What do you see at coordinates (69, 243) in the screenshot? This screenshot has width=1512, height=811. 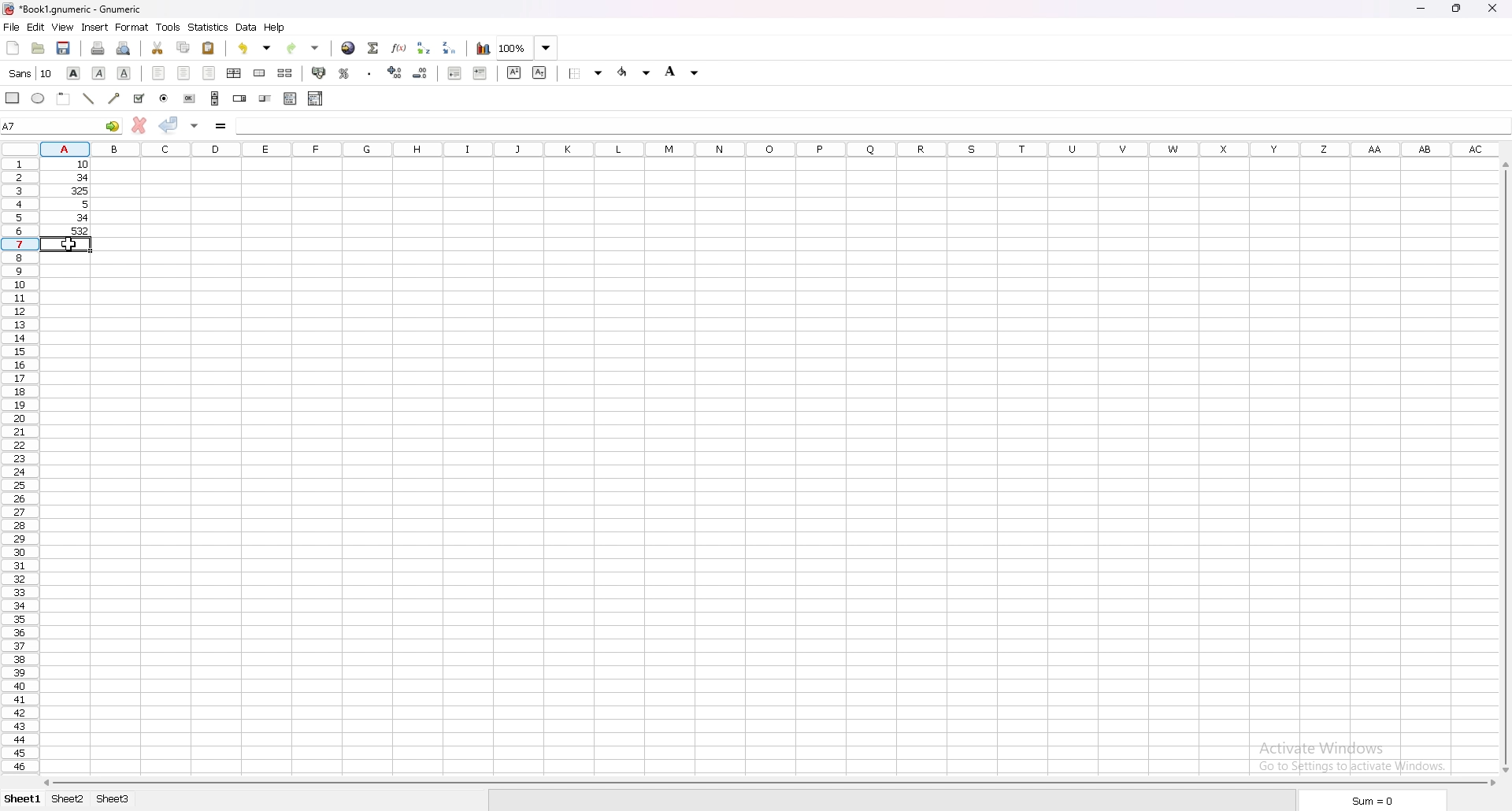 I see `cursor` at bounding box center [69, 243].